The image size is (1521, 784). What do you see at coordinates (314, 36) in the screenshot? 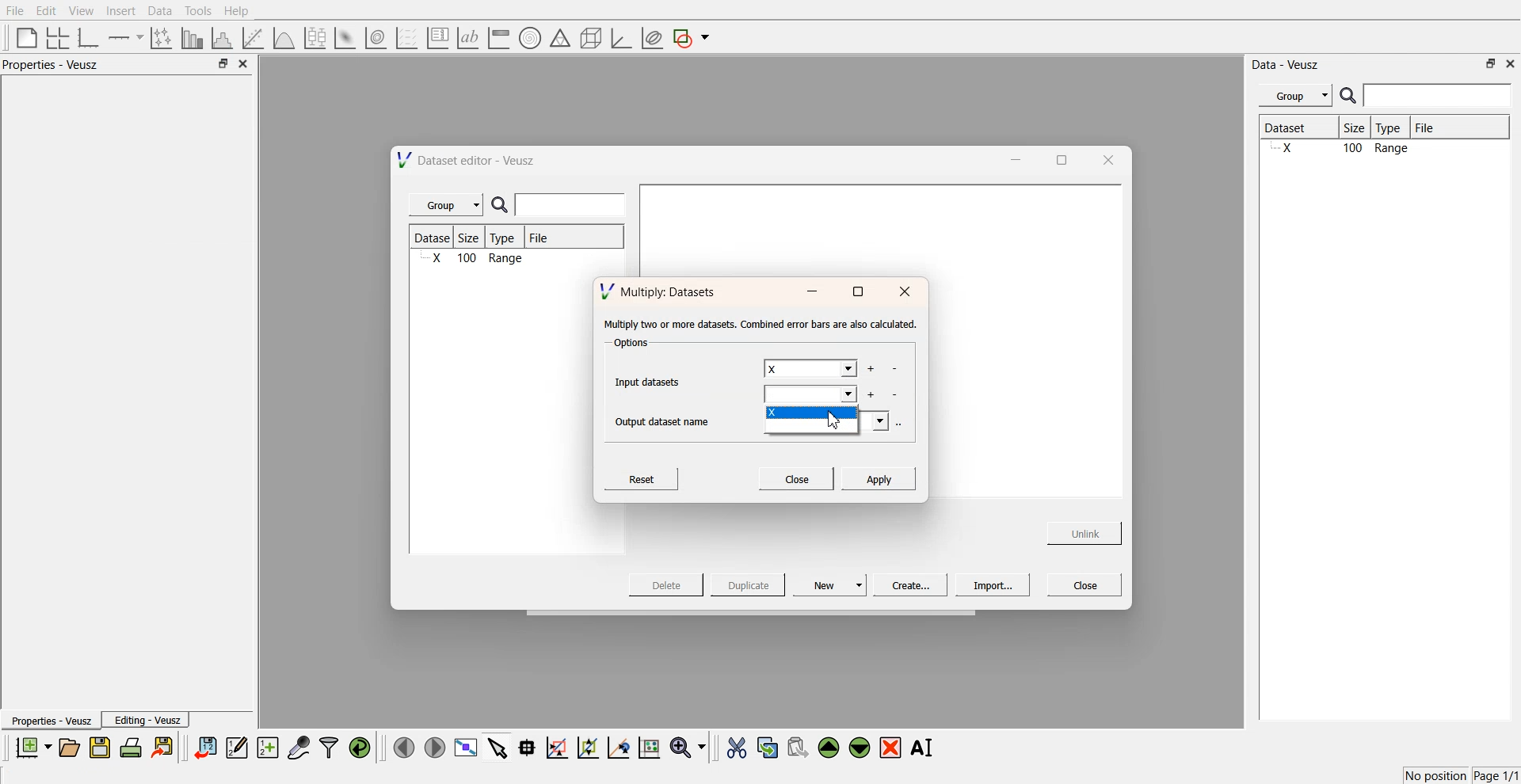
I see `plot a boxplot` at bounding box center [314, 36].